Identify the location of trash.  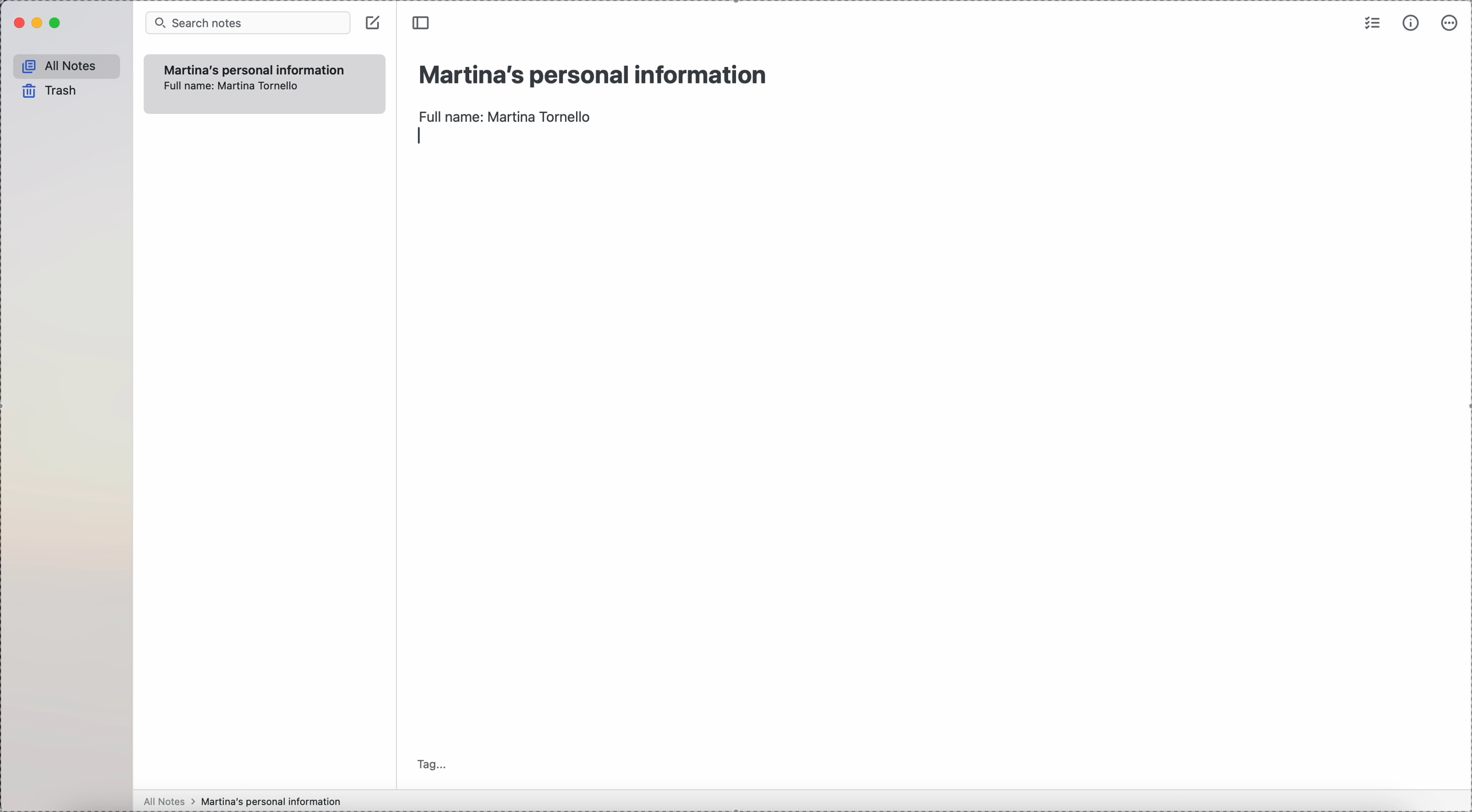
(47, 90).